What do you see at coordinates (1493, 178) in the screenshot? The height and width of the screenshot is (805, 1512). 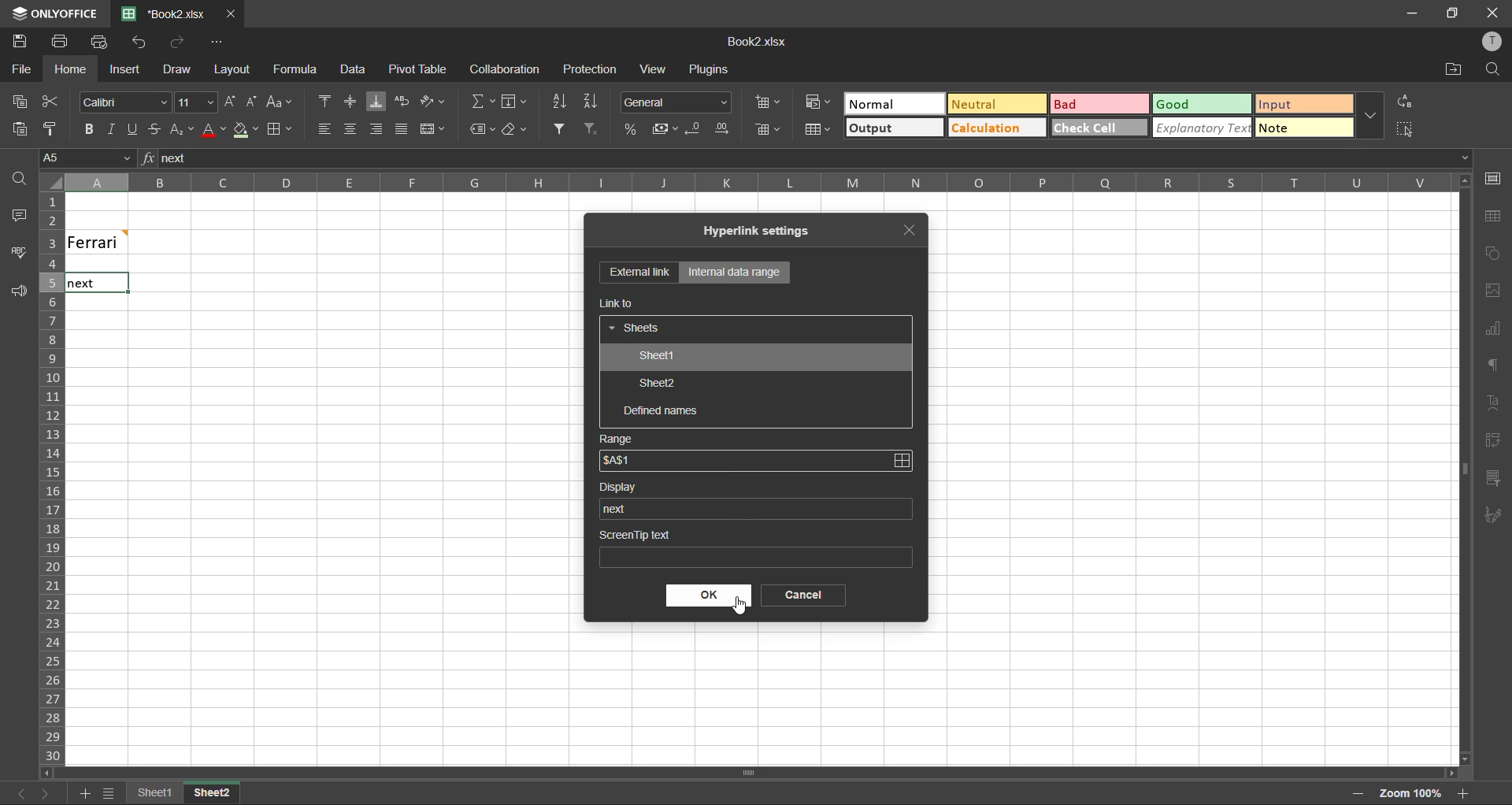 I see `cell settings` at bounding box center [1493, 178].